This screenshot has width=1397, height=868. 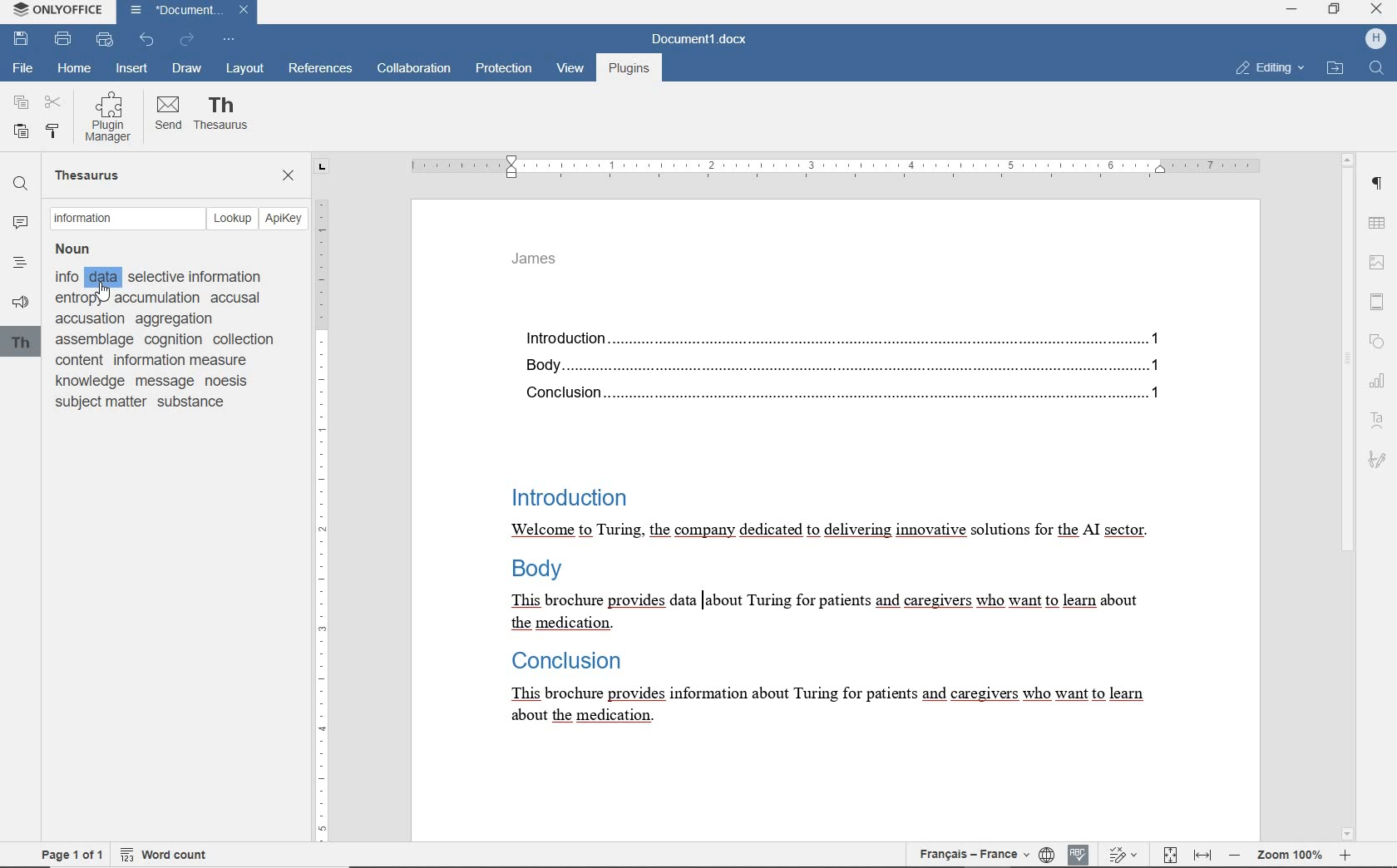 I want to click on TRACK CHANGES, so click(x=1120, y=855).